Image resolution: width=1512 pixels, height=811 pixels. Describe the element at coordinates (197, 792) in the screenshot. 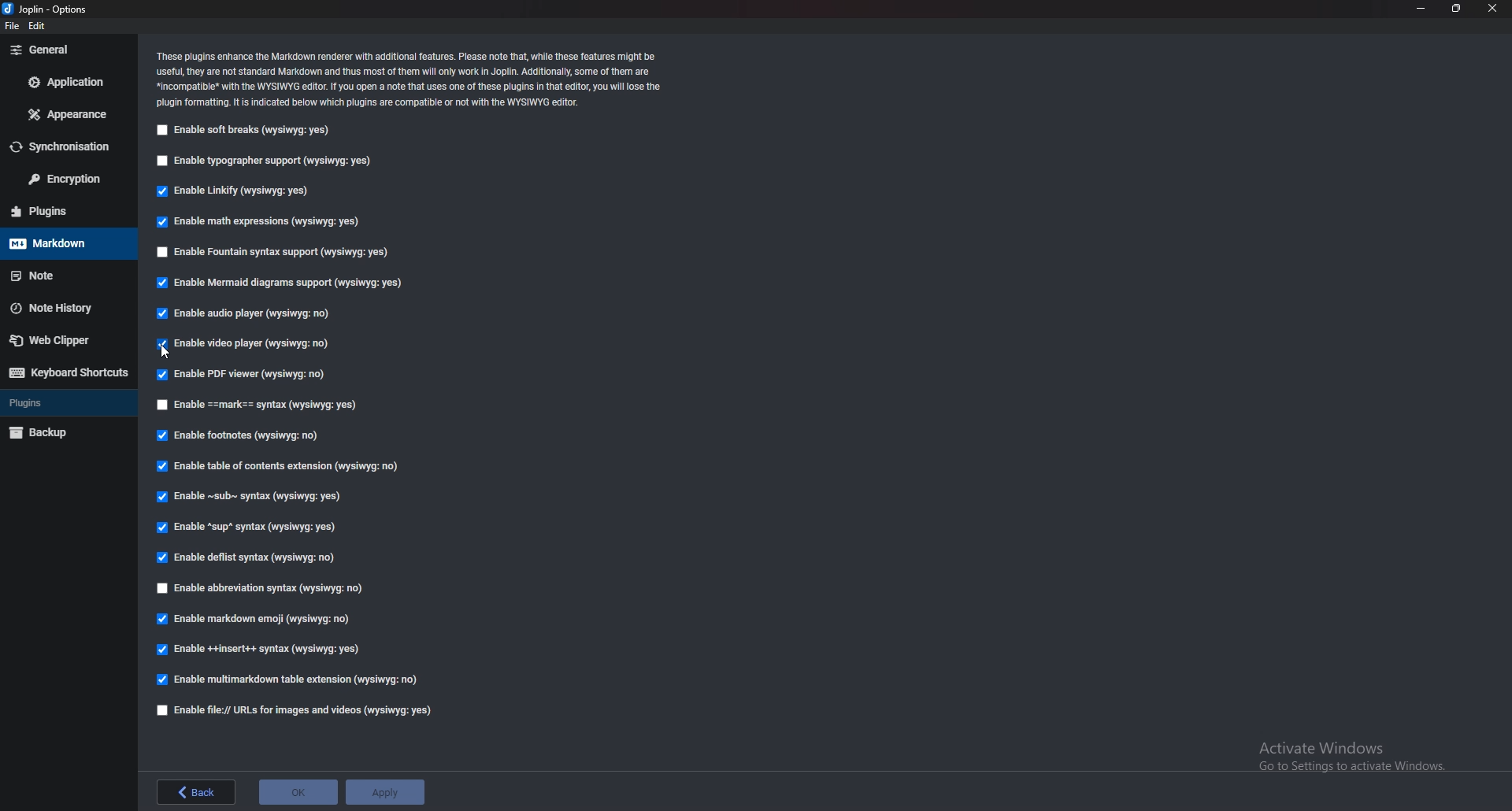

I see `back` at that location.